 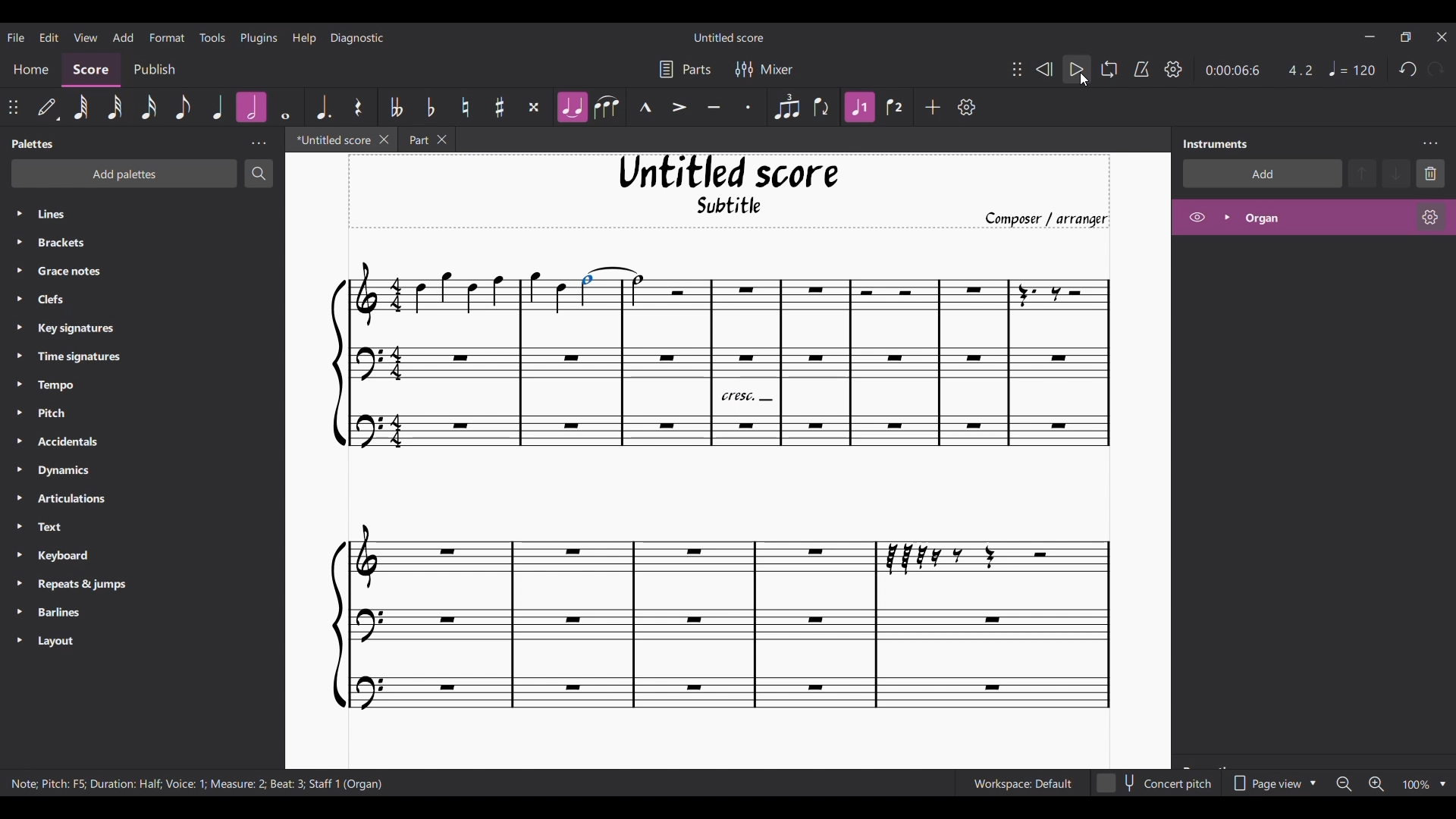 I want to click on List of Palettes, so click(x=156, y=428).